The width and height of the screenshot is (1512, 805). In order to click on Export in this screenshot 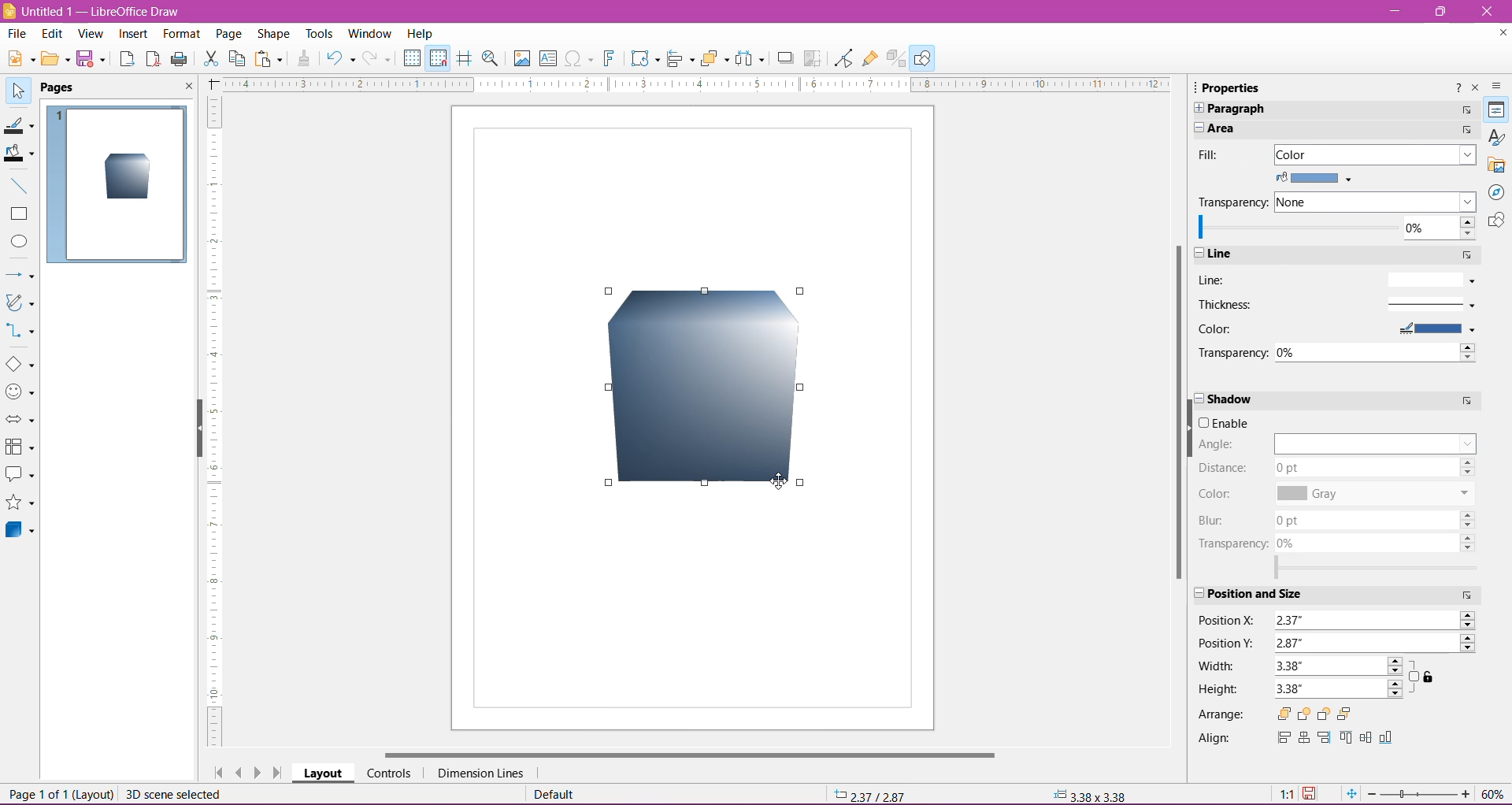, I will do `click(127, 60)`.